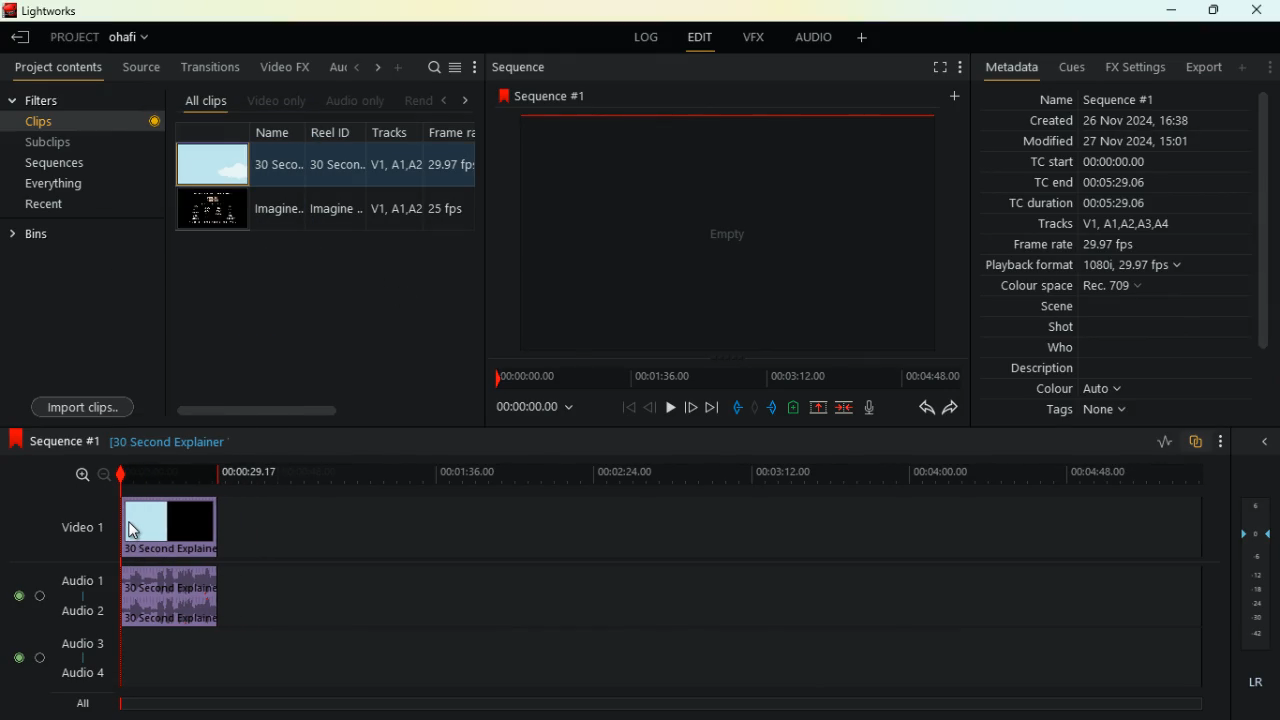 The width and height of the screenshot is (1280, 720). I want to click on more, so click(1222, 440).